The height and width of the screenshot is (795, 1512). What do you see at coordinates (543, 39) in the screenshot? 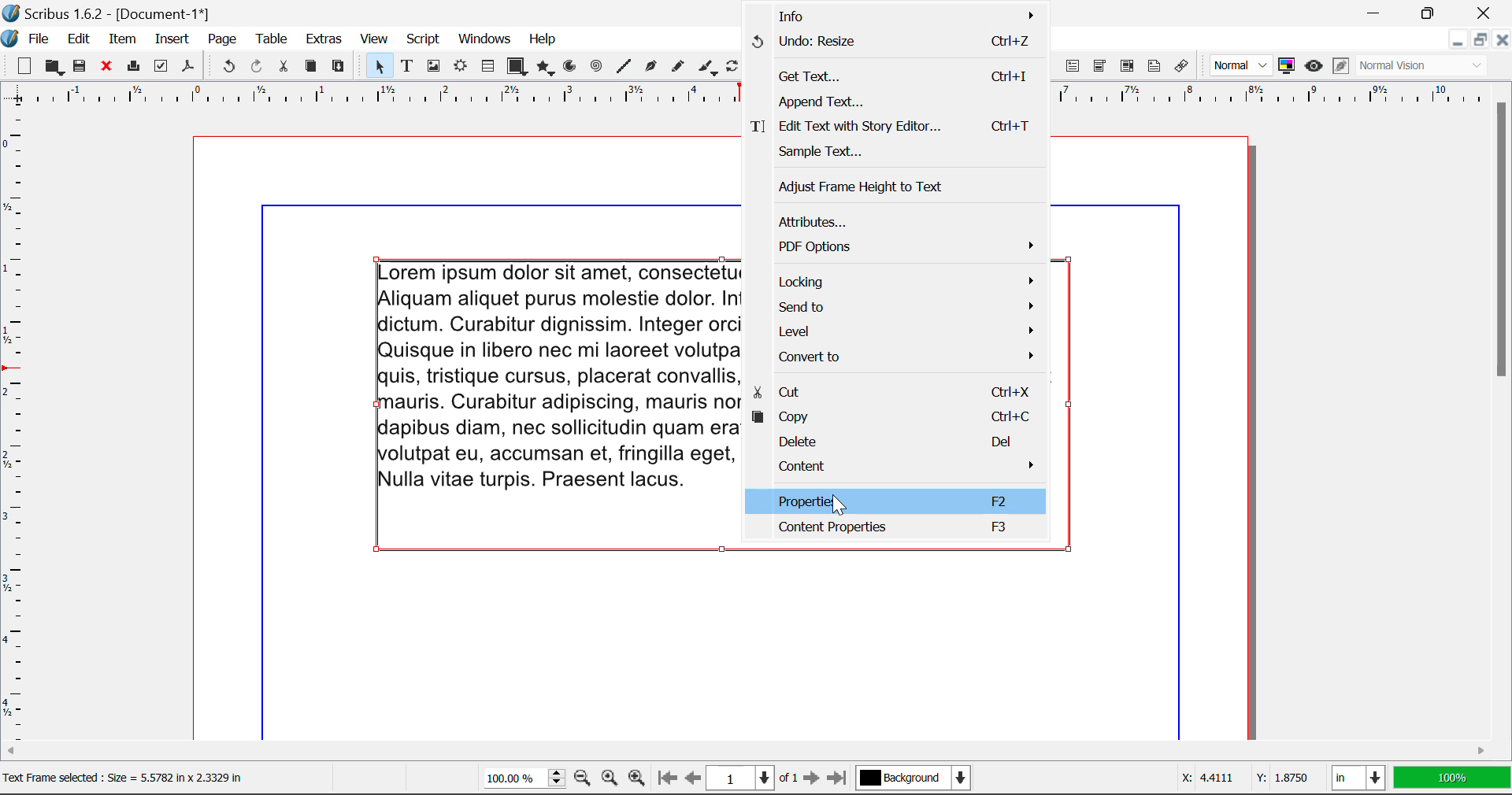
I see `Help` at bounding box center [543, 39].